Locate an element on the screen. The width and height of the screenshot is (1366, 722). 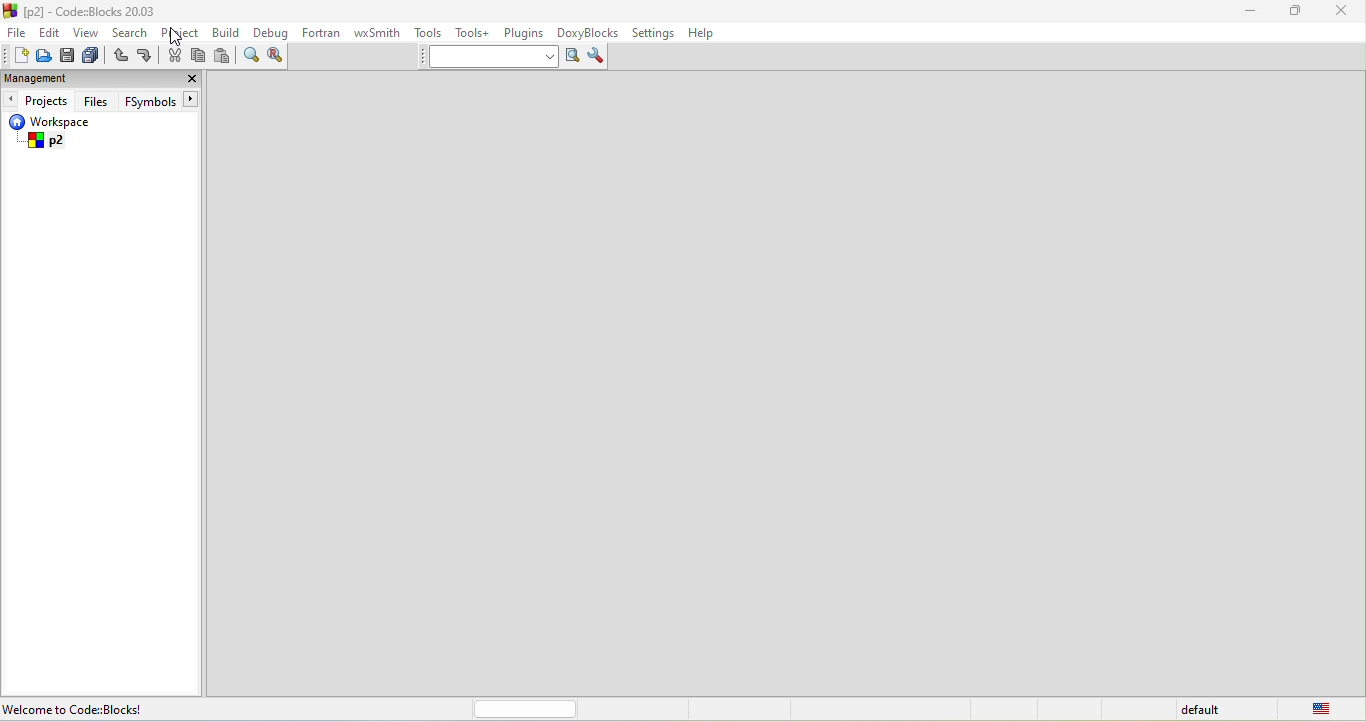
edit is located at coordinates (51, 34).